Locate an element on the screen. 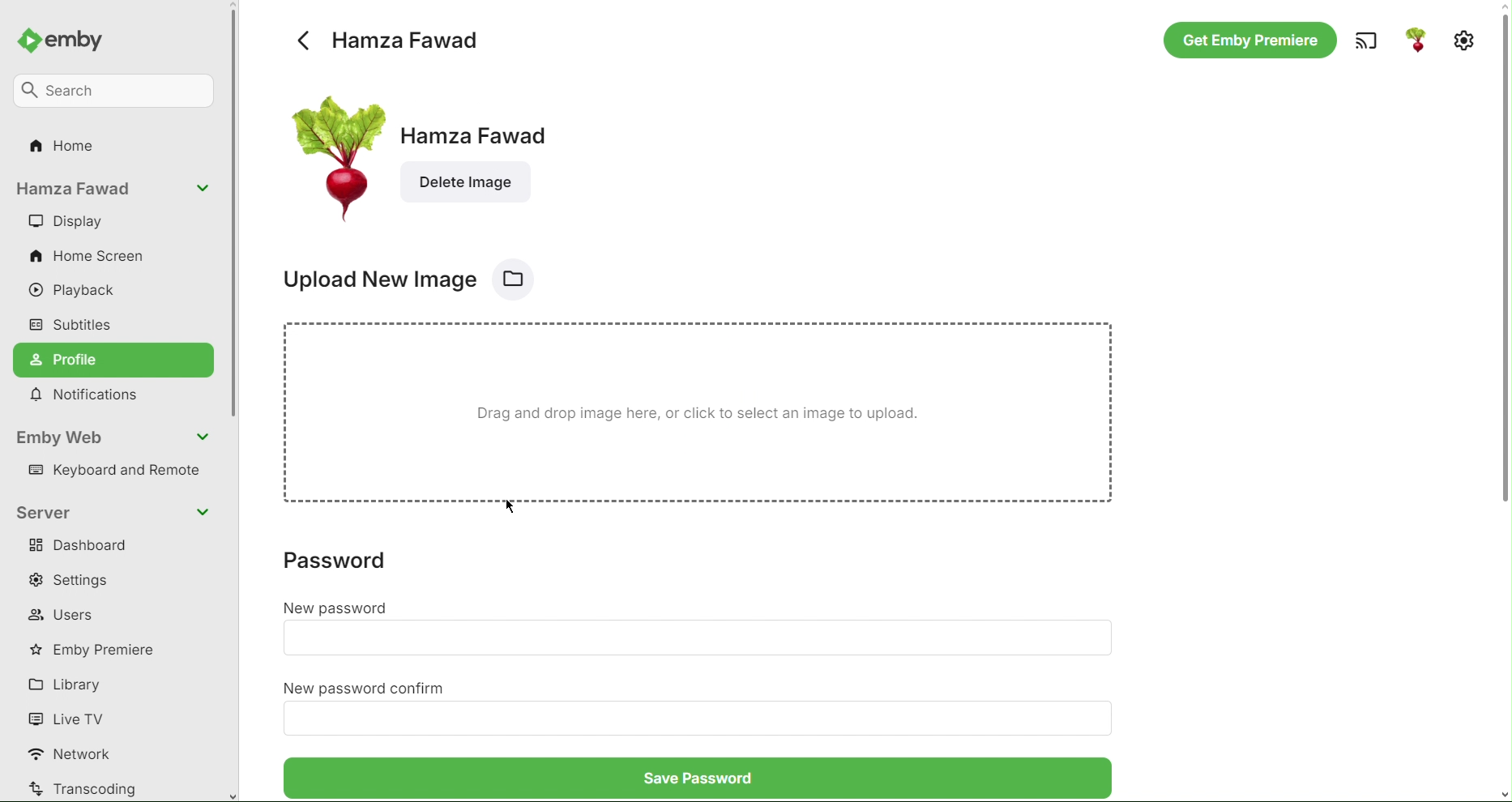  Notifications is located at coordinates (91, 396).